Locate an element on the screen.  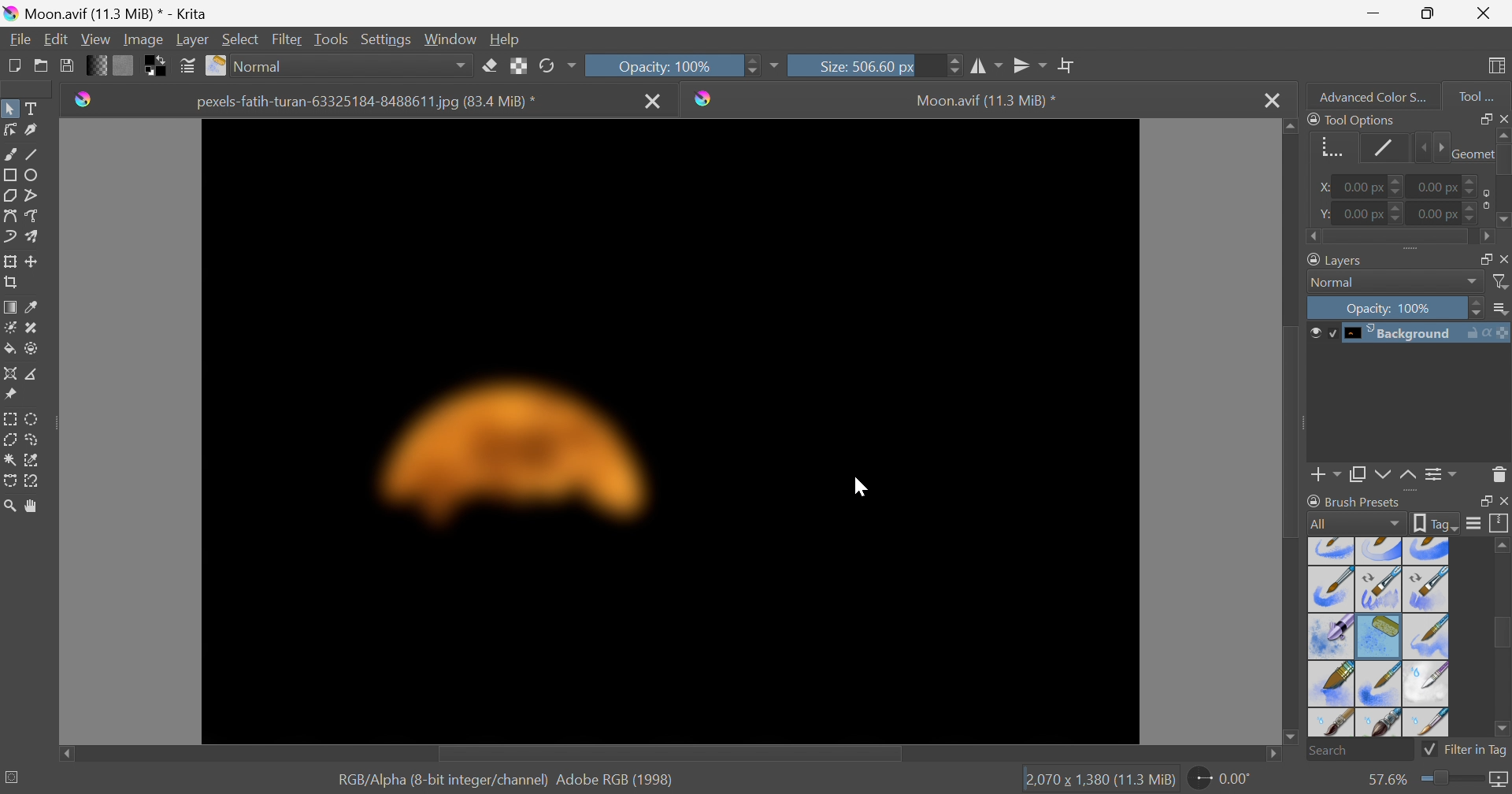
Thumbnail size is located at coordinates (1499, 309).